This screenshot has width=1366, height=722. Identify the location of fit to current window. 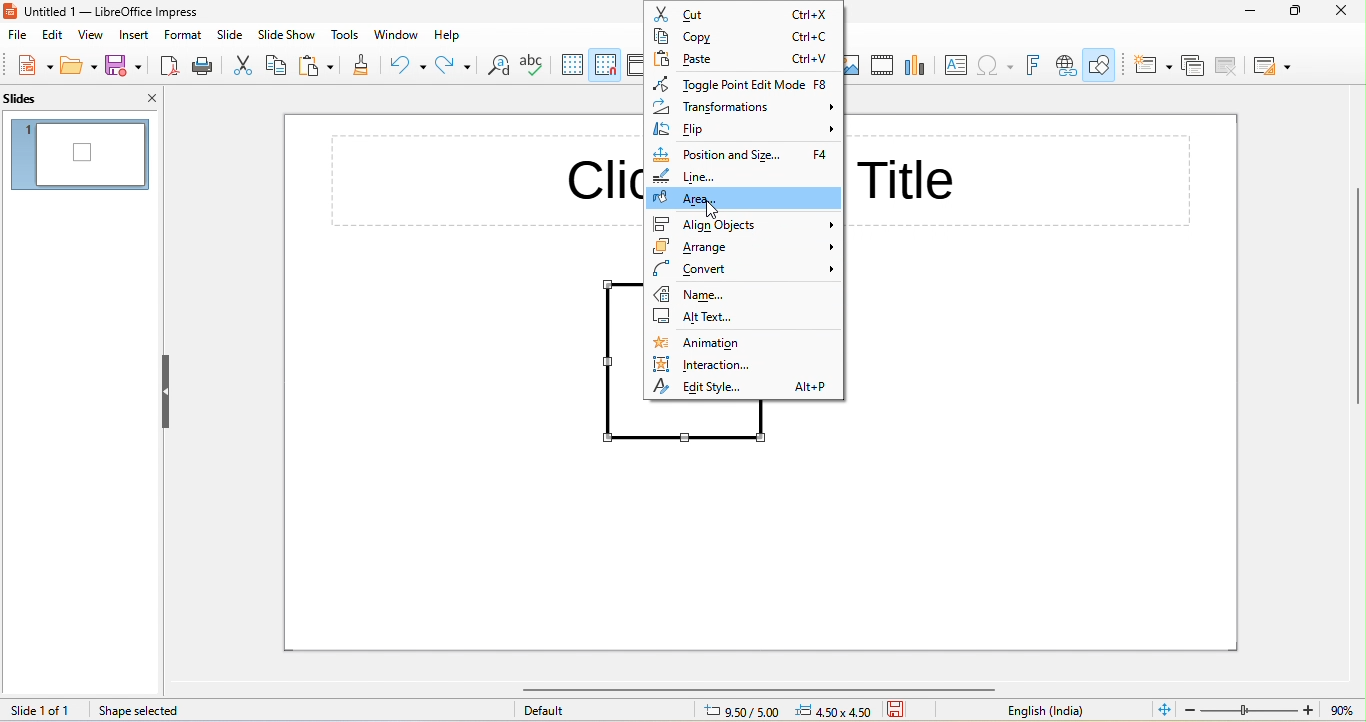
(1165, 709).